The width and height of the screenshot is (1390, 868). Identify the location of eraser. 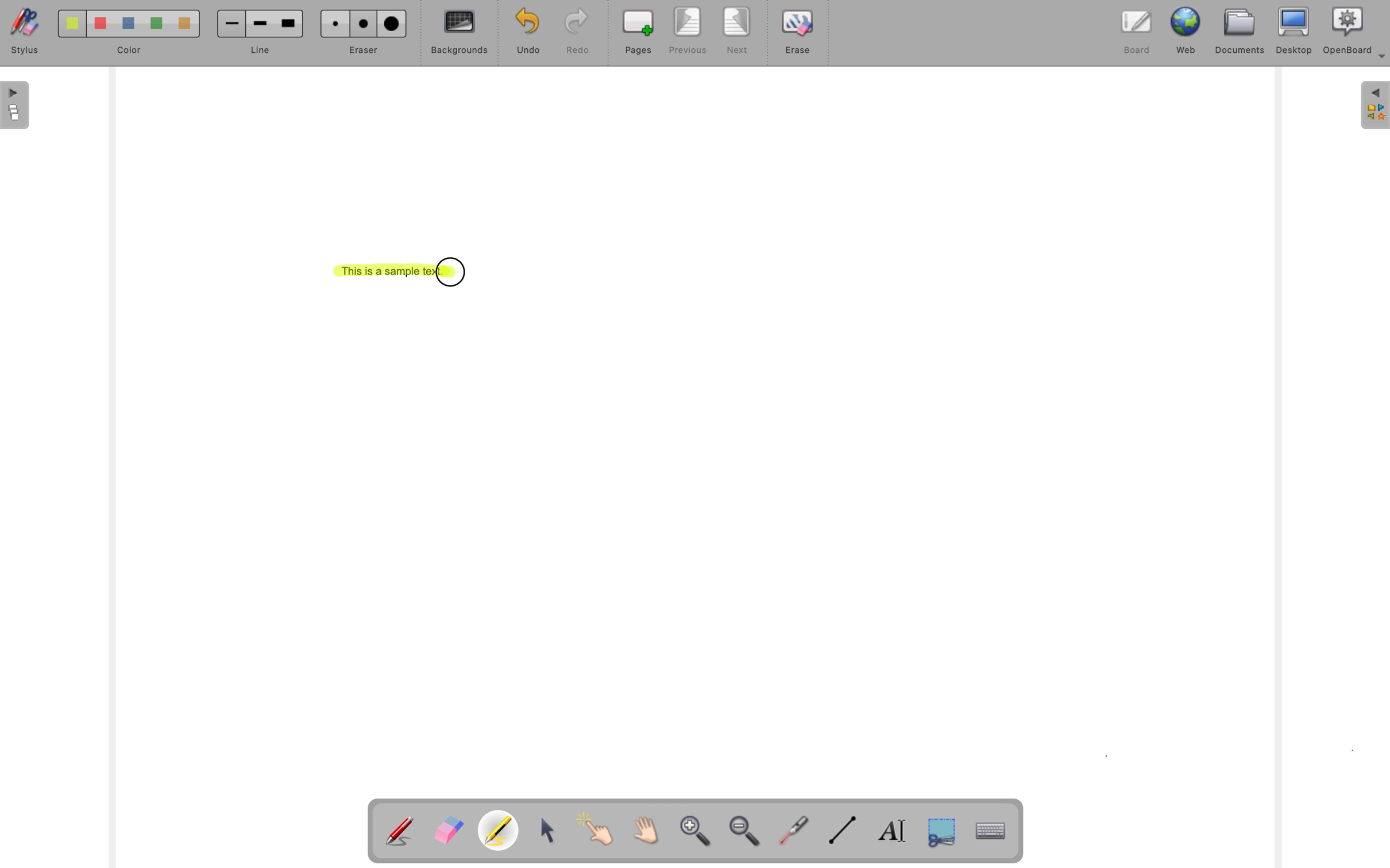
(365, 50).